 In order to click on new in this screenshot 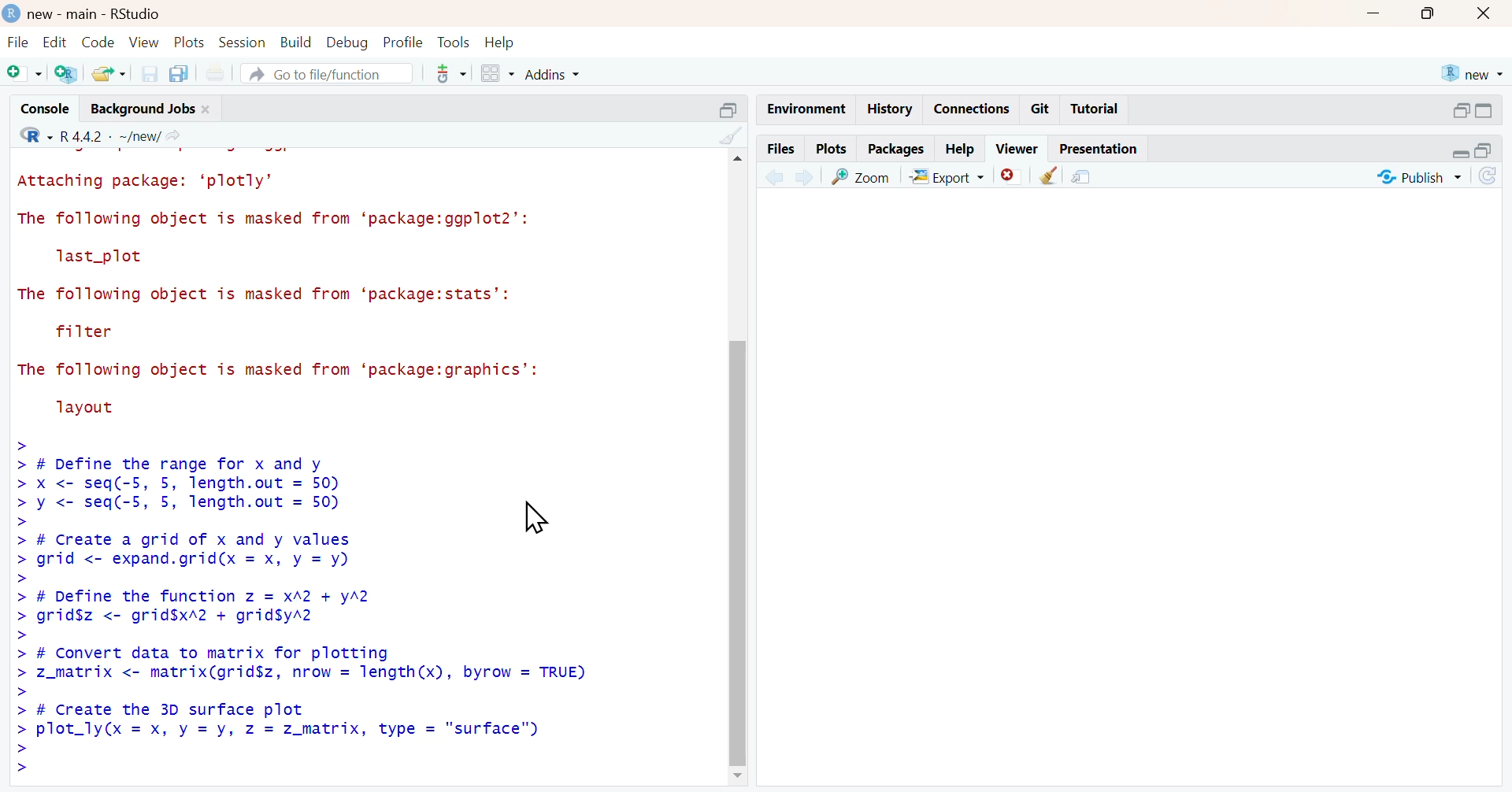, I will do `click(1472, 73)`.